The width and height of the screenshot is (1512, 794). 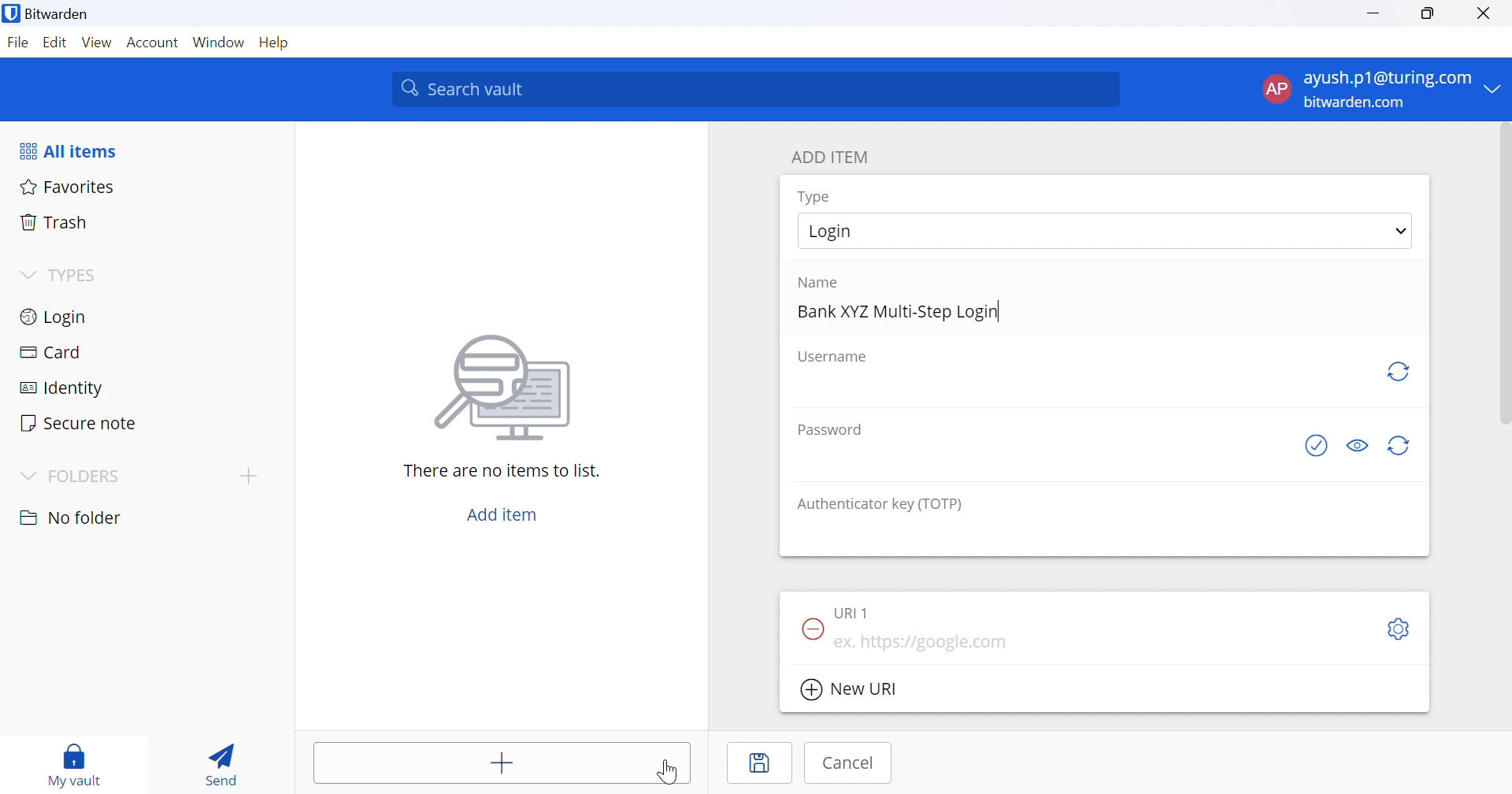 What do you see at coordinates (1401, 629) in the screenshot?
I see `Settings` at bounding box center [1401, 629].